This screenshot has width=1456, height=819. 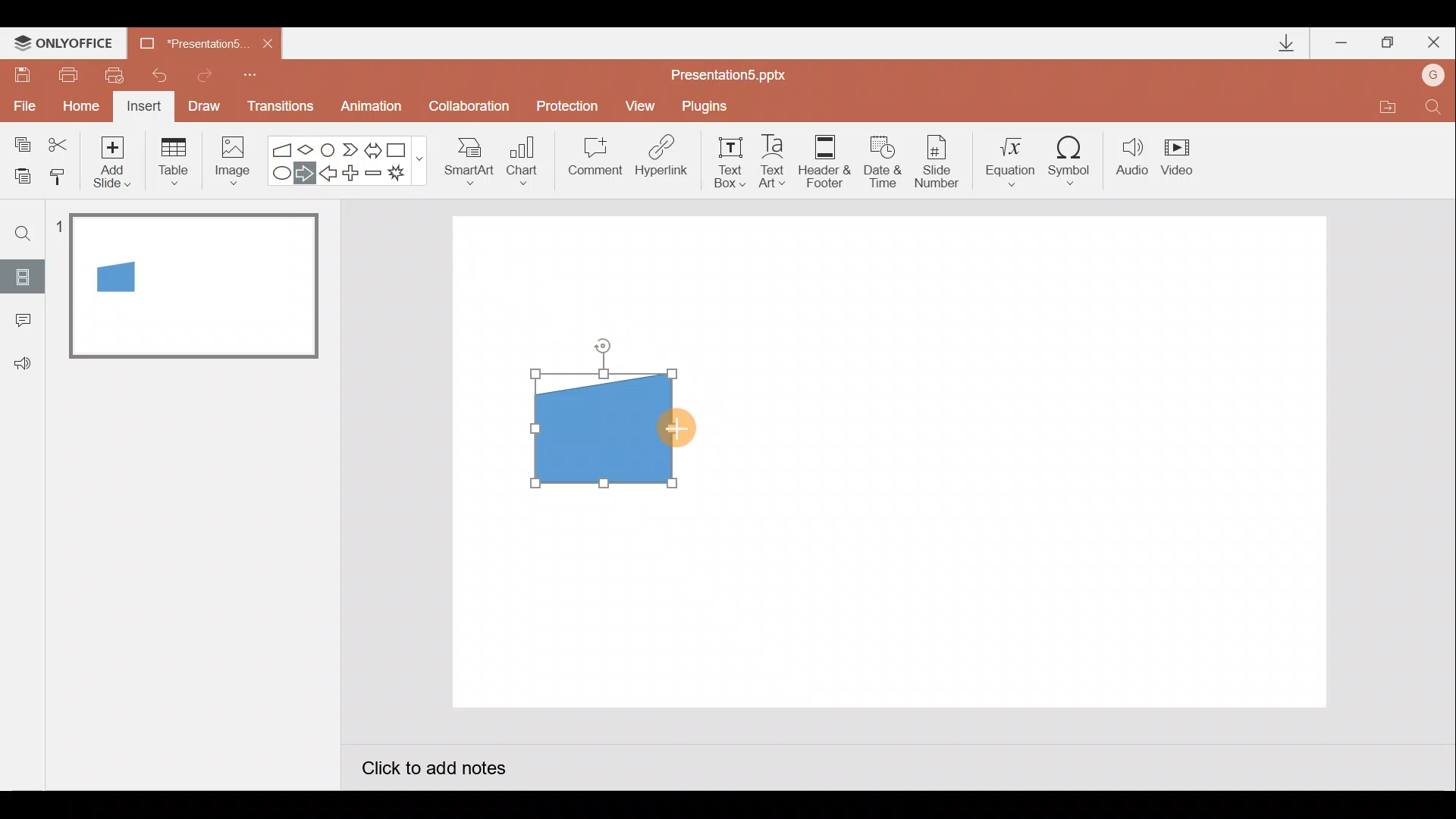 I want to click on Insert, so click(x=142, y=108).